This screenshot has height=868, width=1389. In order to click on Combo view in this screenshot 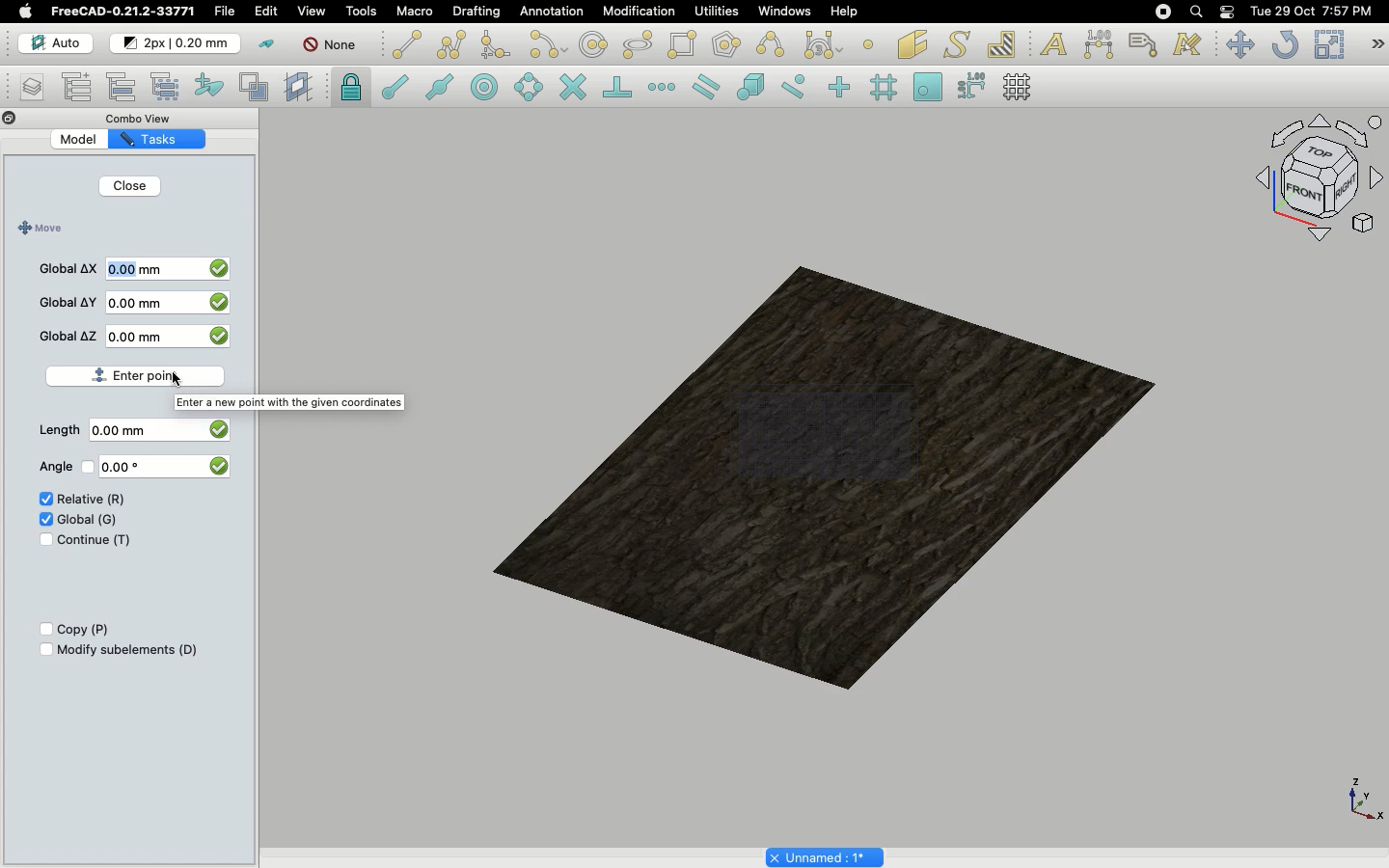, I will do `click(149, 118)`.